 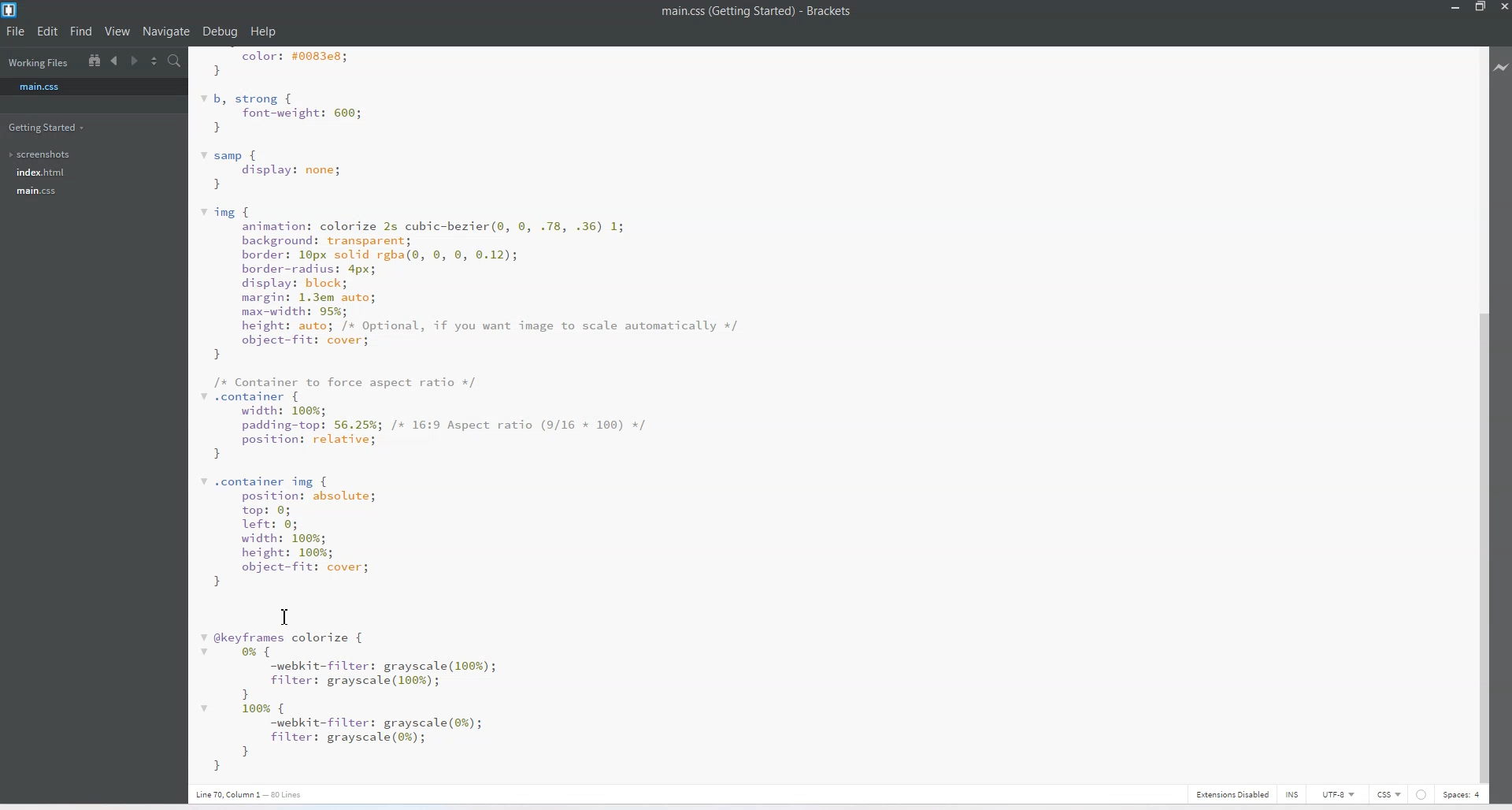 What do you see at coordinates (259, 793) in the screenshot?
I see `Text 2` at bounding box center [259, 793].